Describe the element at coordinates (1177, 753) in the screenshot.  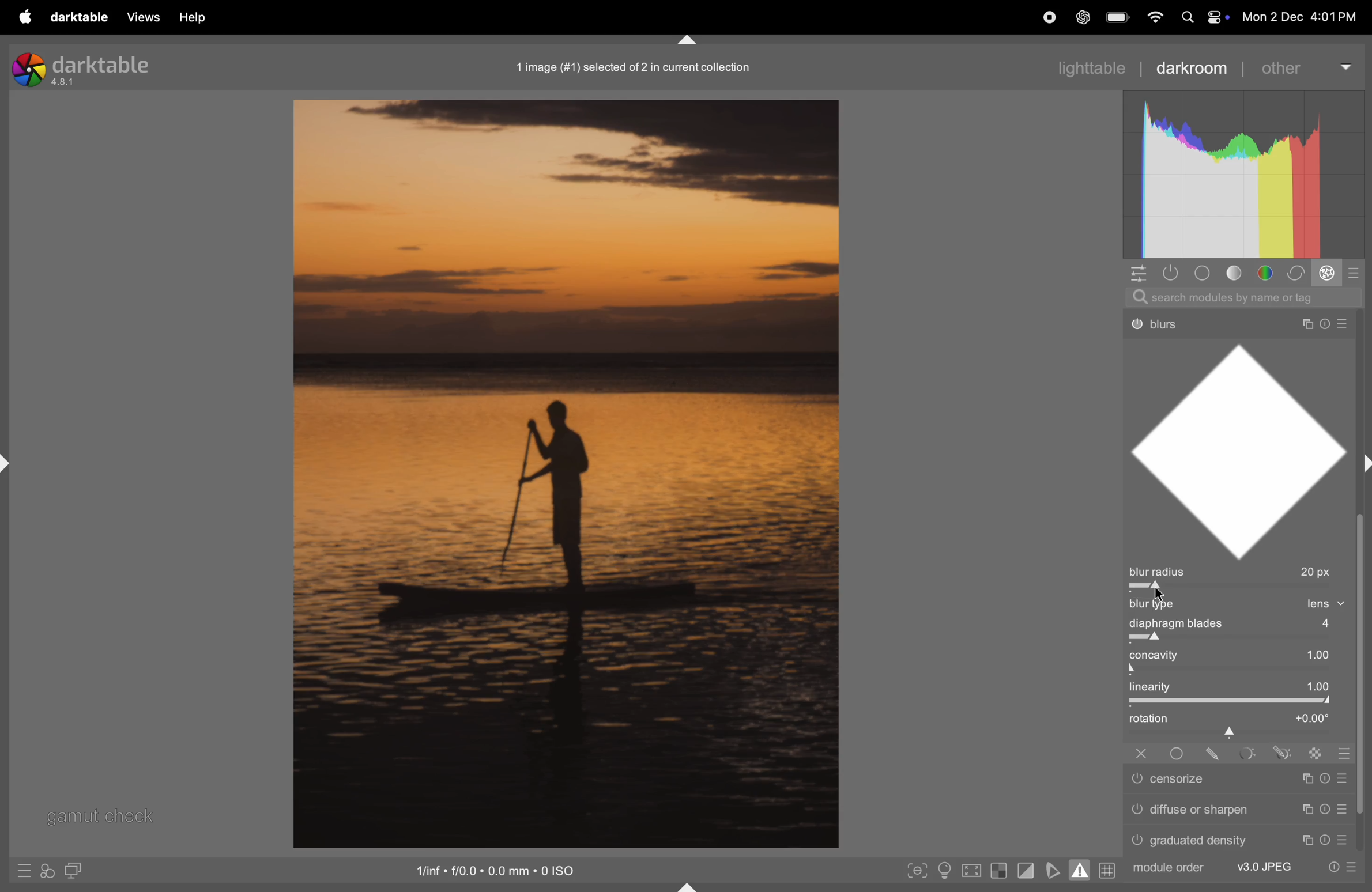
I see `` at that location.